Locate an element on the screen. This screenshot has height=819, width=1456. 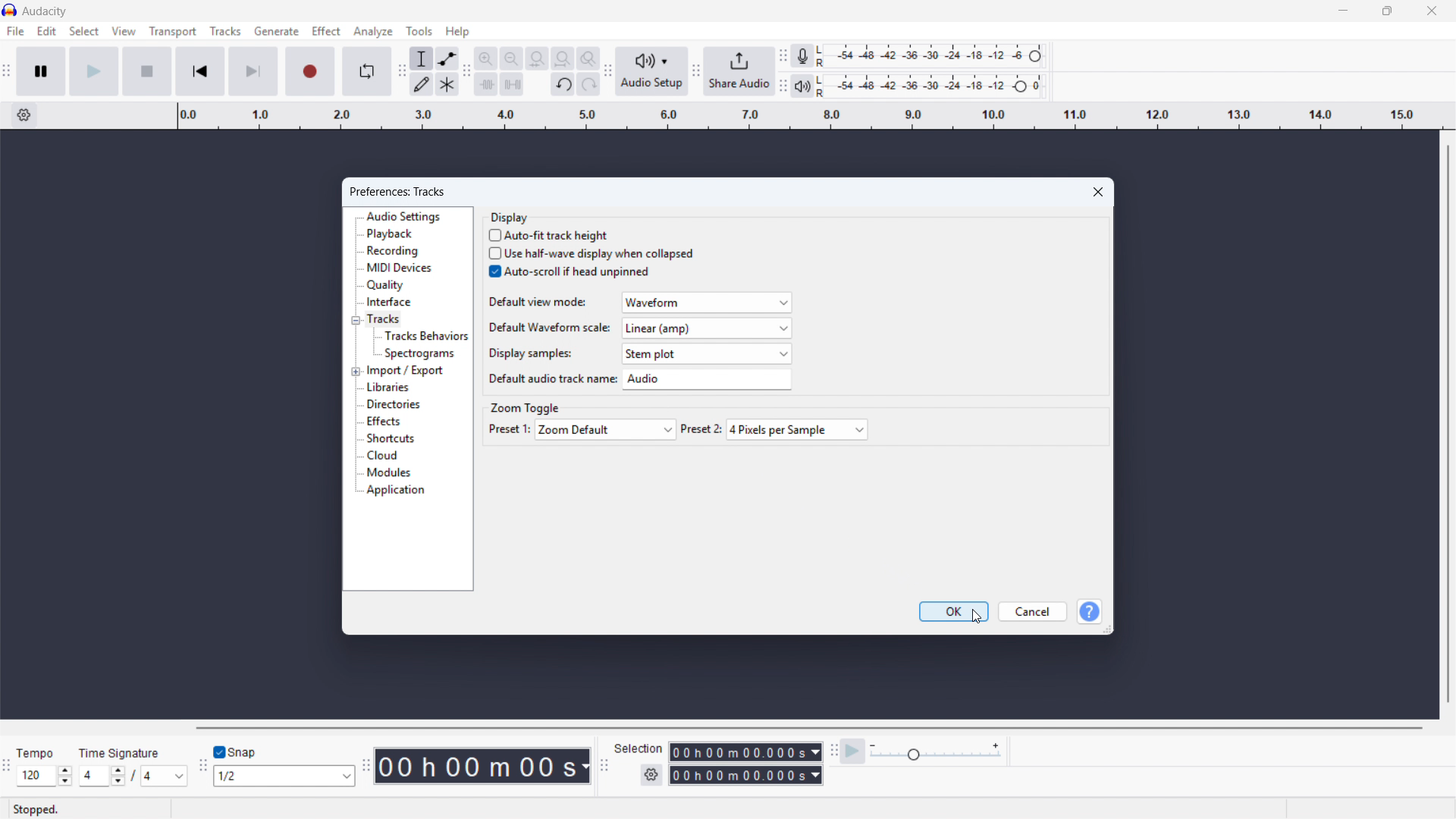
midi devices is located at coordinates (398, 268).